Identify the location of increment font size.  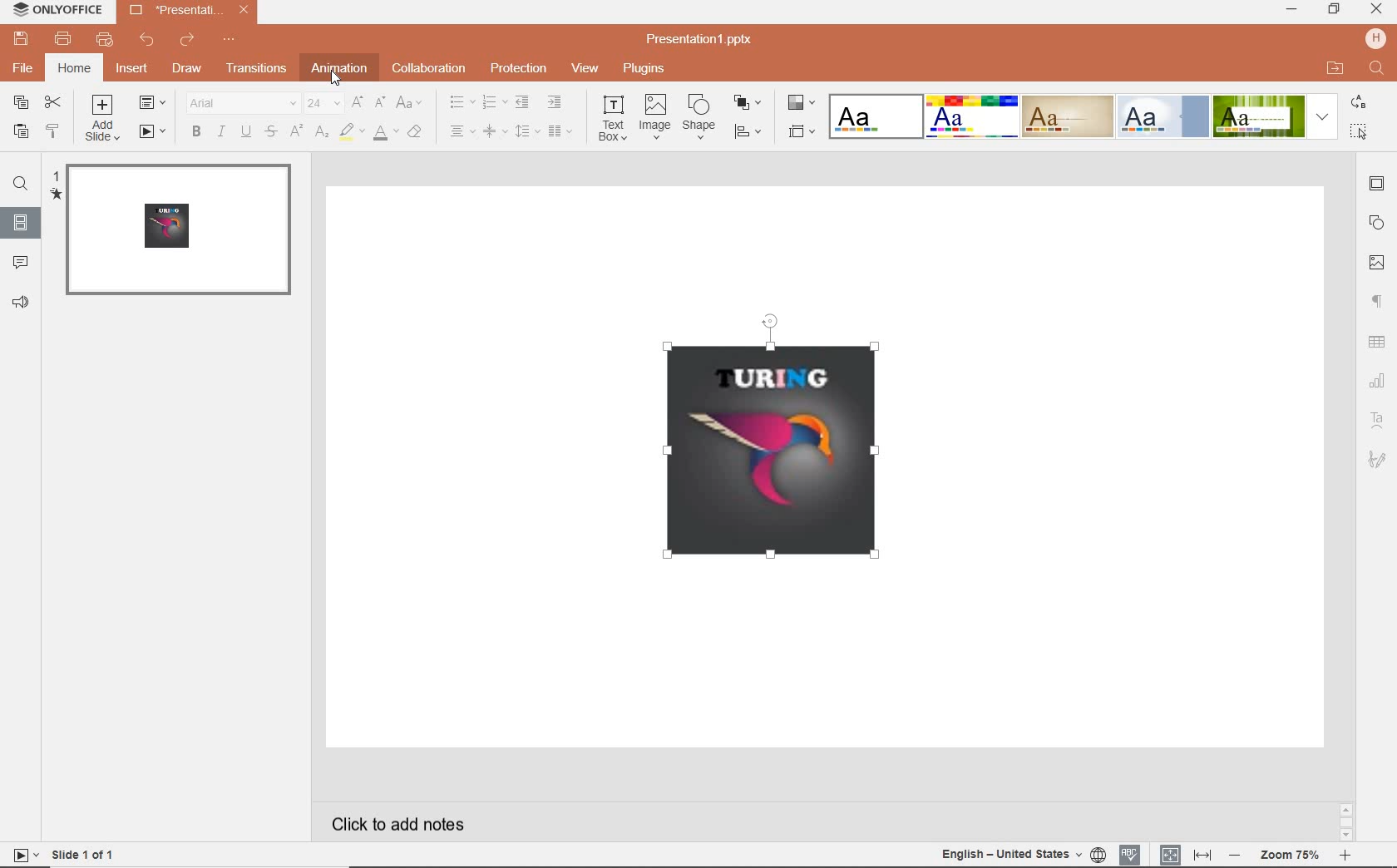
(358, 101).